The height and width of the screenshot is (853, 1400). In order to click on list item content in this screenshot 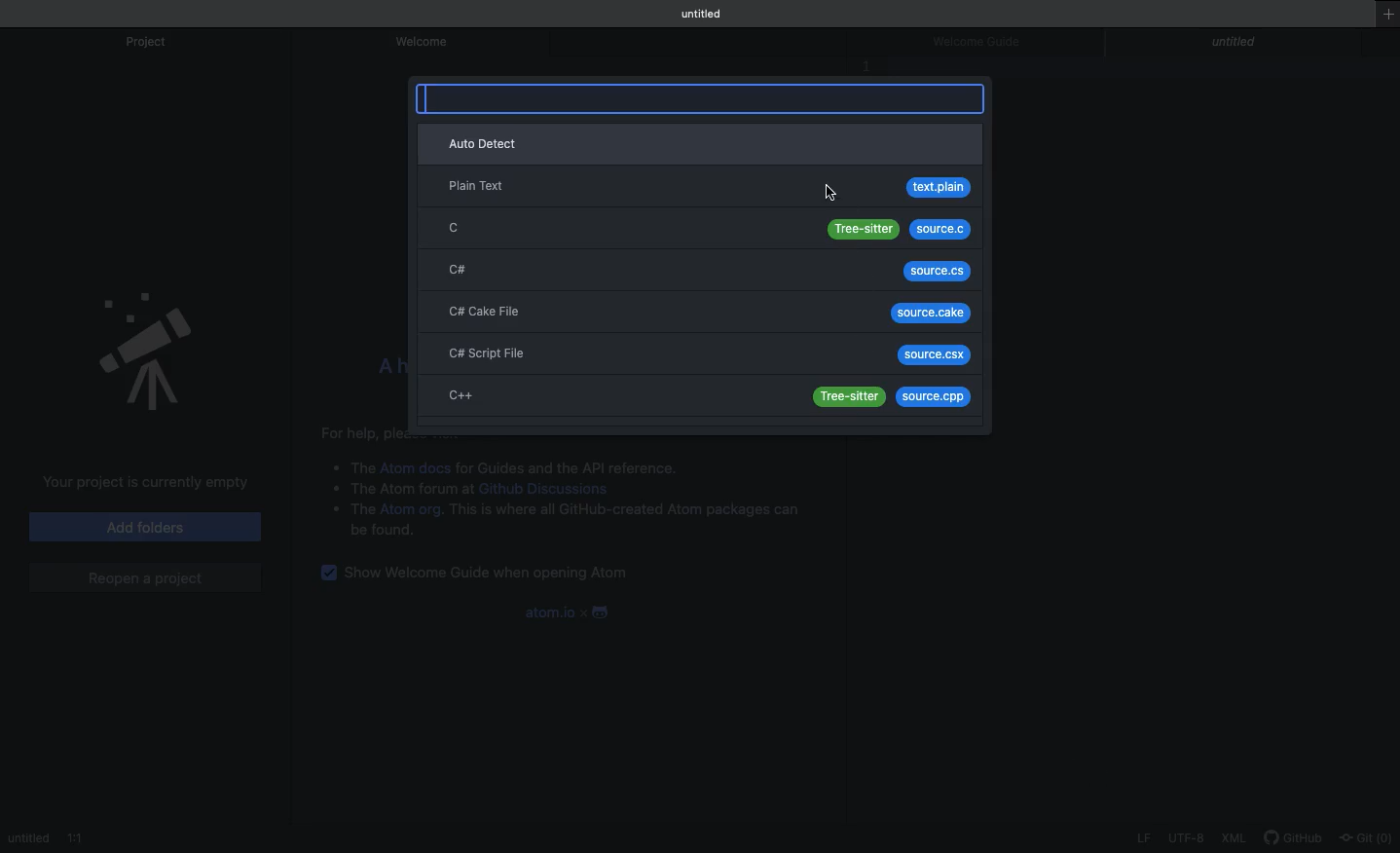, I will do `click(625, 511)`.